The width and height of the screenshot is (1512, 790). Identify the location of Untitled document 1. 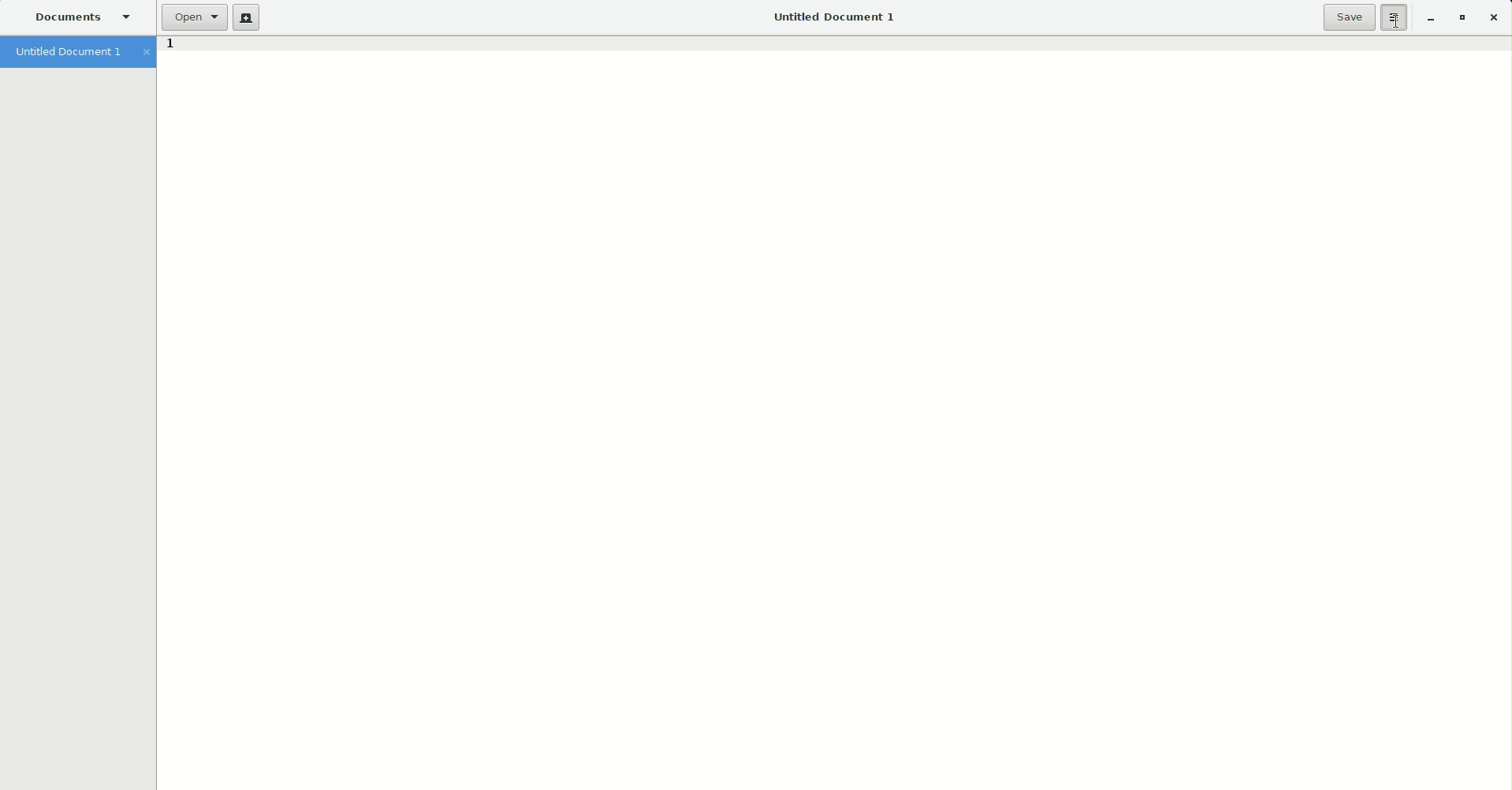
(78, 53).